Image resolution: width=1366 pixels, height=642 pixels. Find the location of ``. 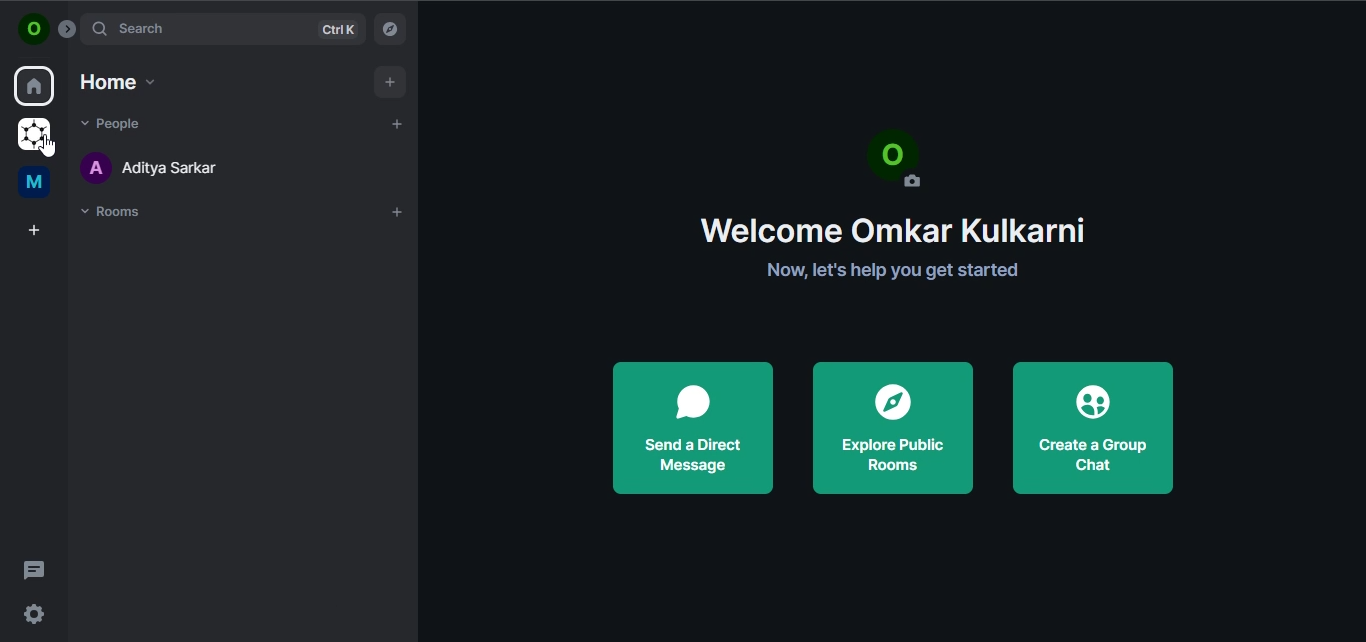

 is located at coordinates (67, 28).